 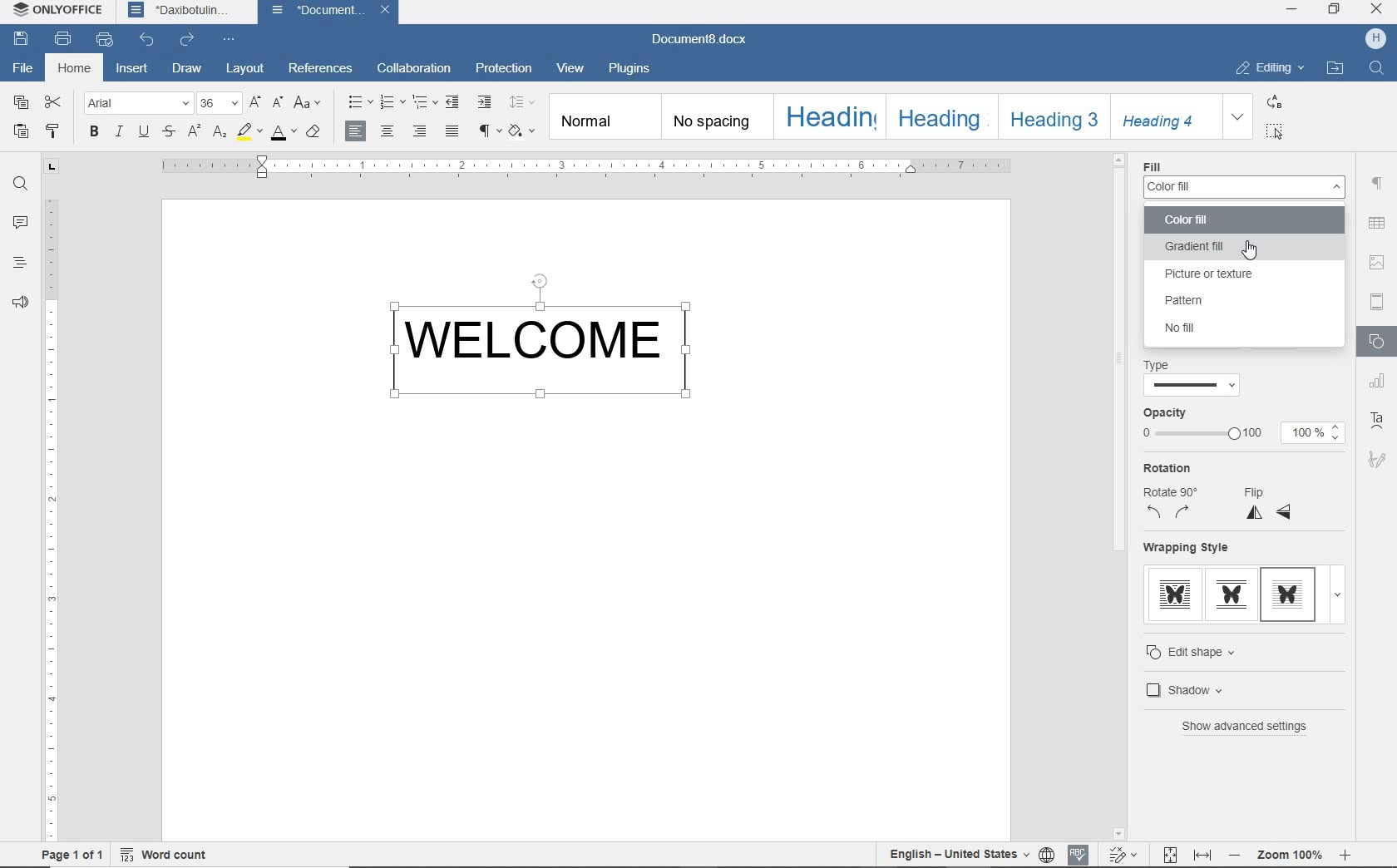 What do you see at coordinates (391, 102) in the screenshot?
I see `NUMBERING` at bounding box center [391, 102].